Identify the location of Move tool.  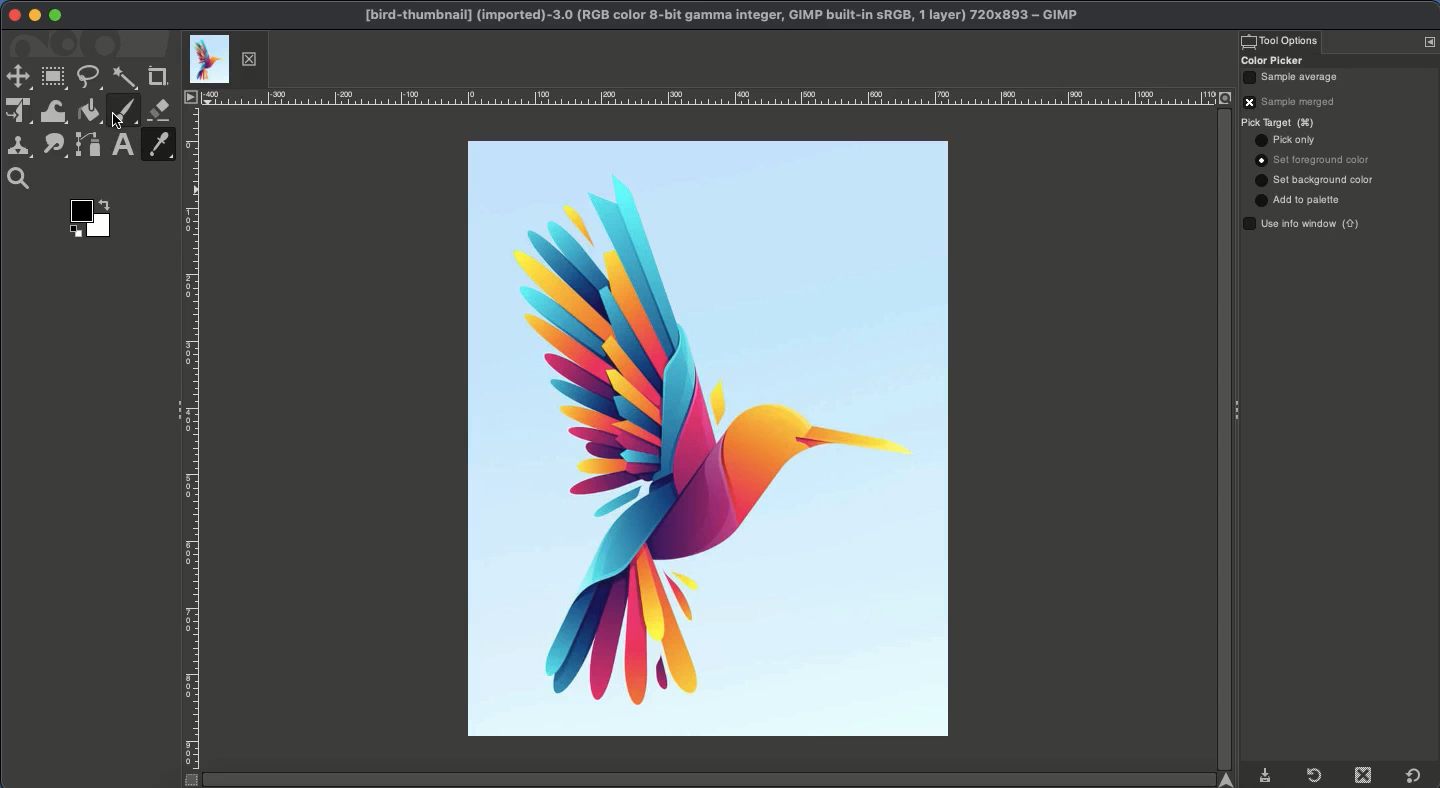
(17, 78).